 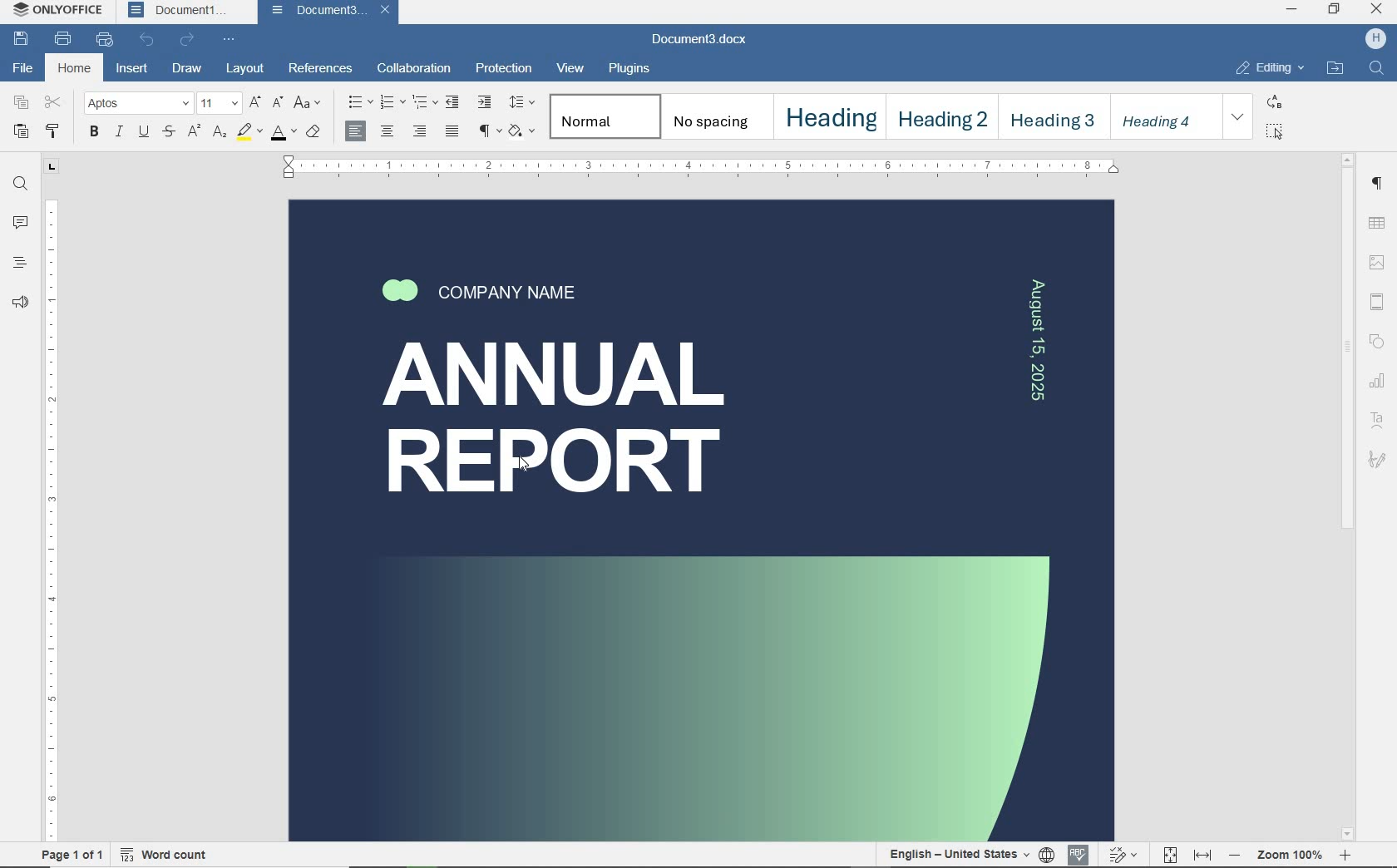 I want to click on table, so click(x=1376, y=224).